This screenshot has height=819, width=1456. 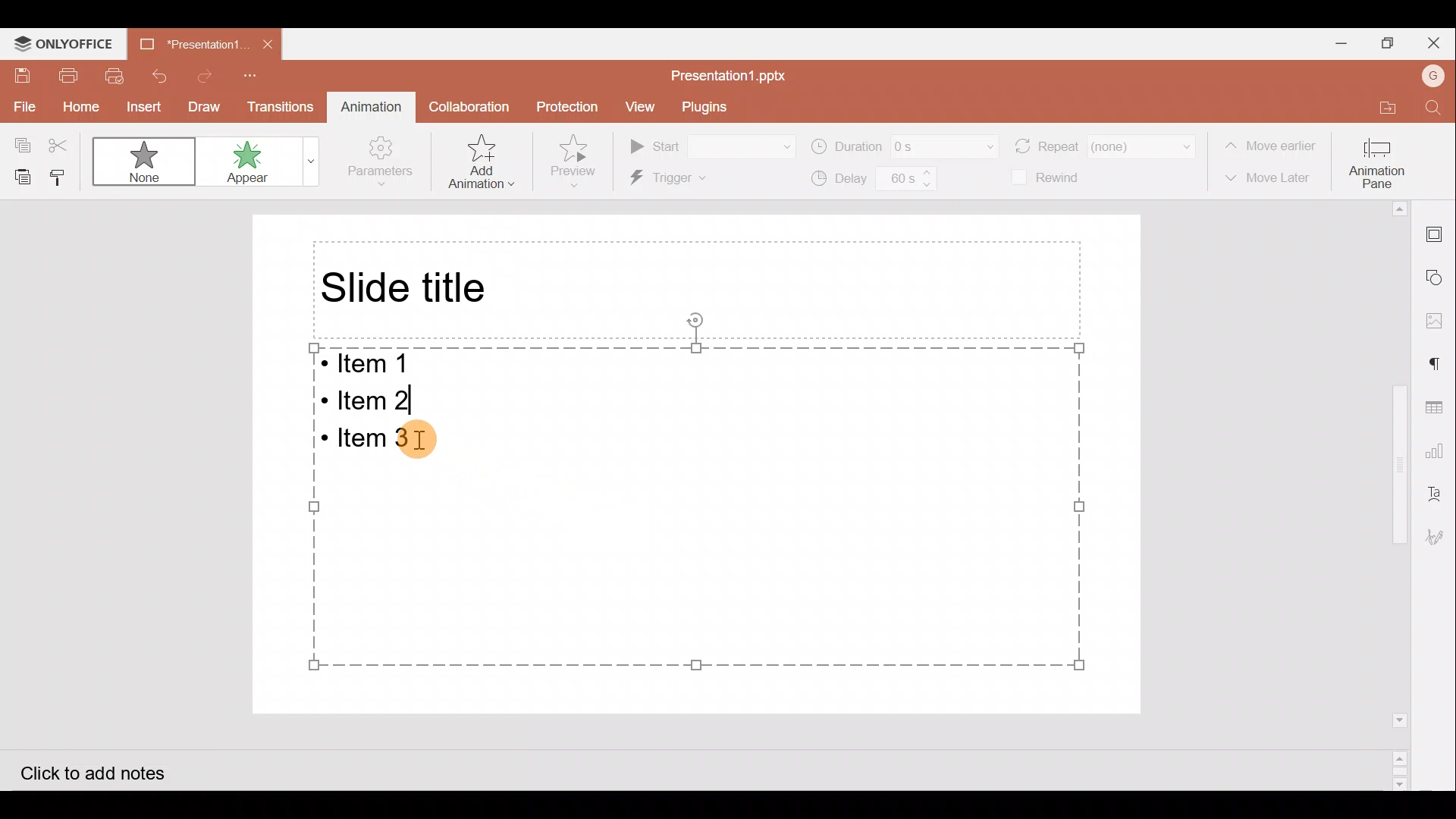 What do you see at coordinates (1439, 275) in the screenshot?
I see `Shapes settings` at bounding box center [1439, 275].